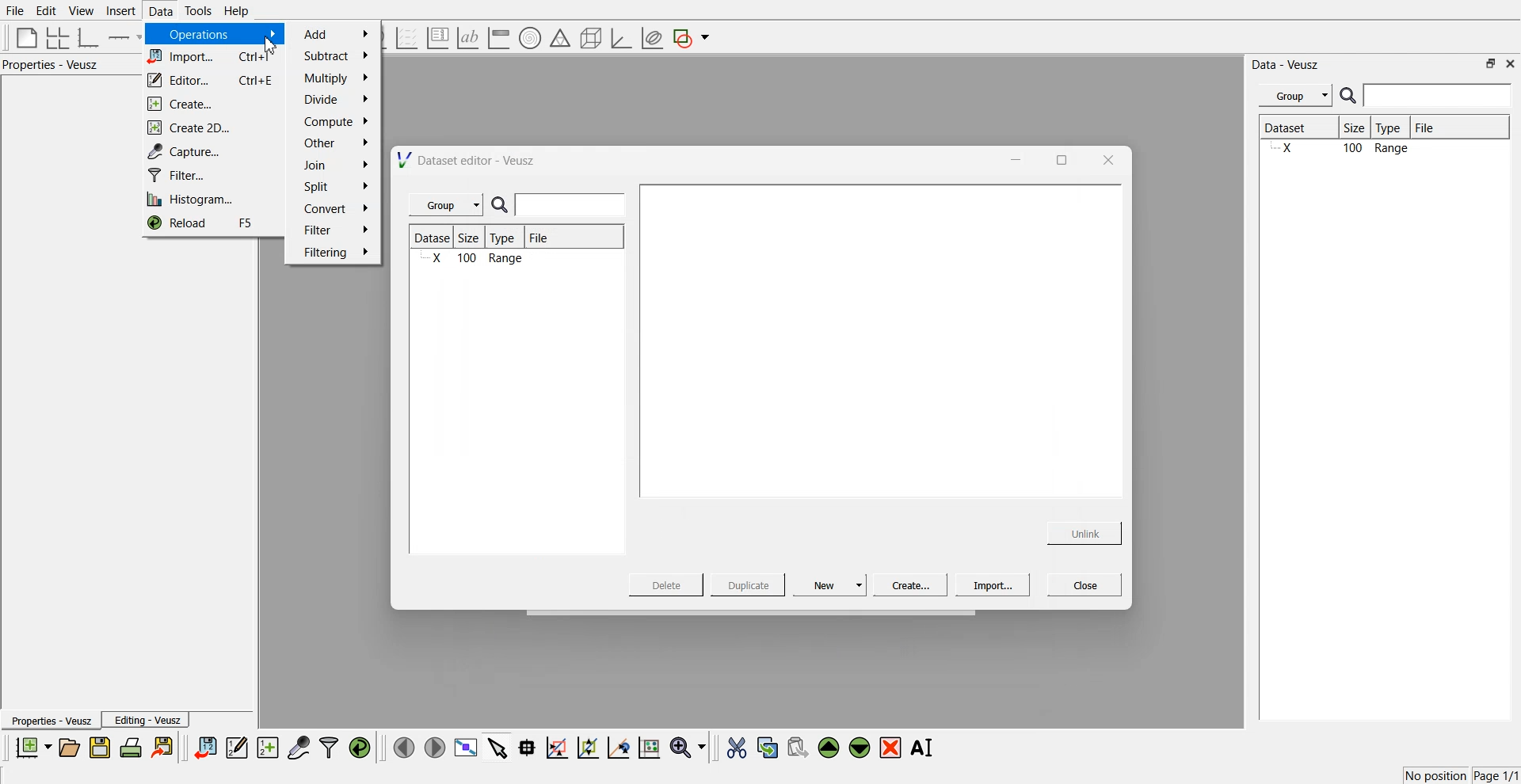 The image size is (1521, 784). What do you see at coordinates (211, 225) in the screenshot?
I see `Reload FS` at bounding box center [211, 225].